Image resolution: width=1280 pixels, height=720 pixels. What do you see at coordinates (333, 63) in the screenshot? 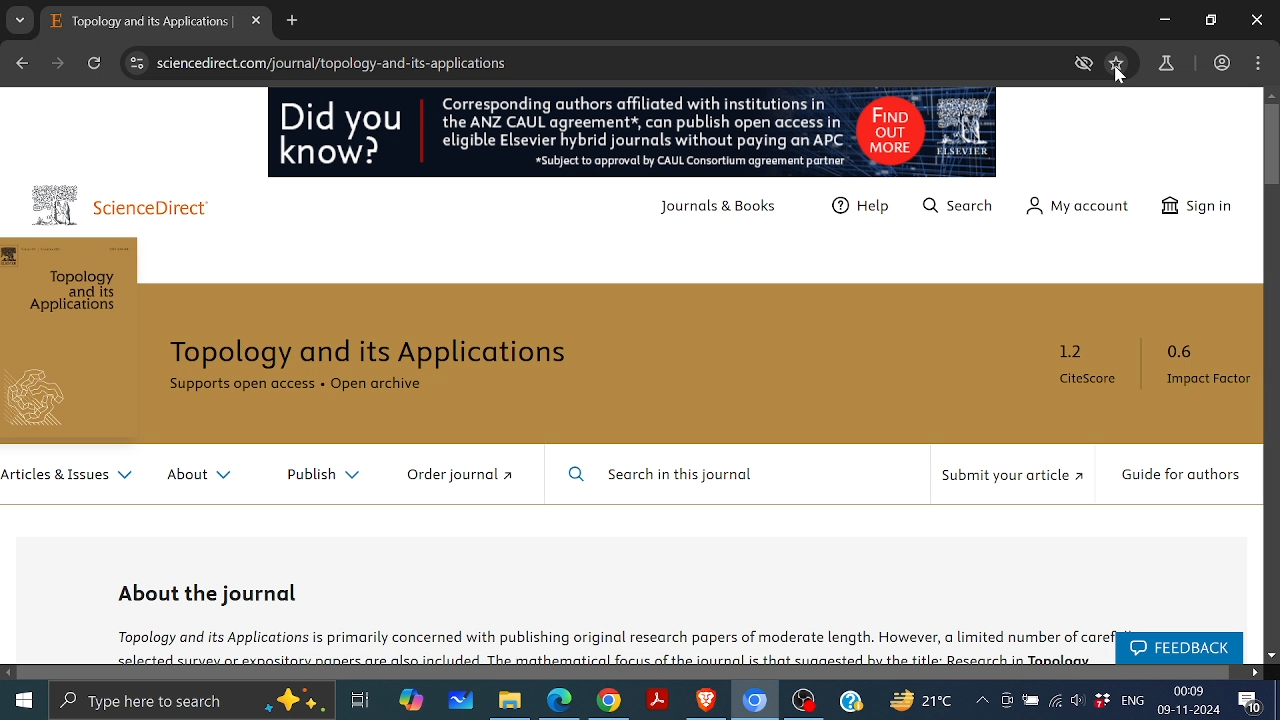
I see `sciencedirect.com/journal/topology-and-its-applications` at bounding box center [333, 63].